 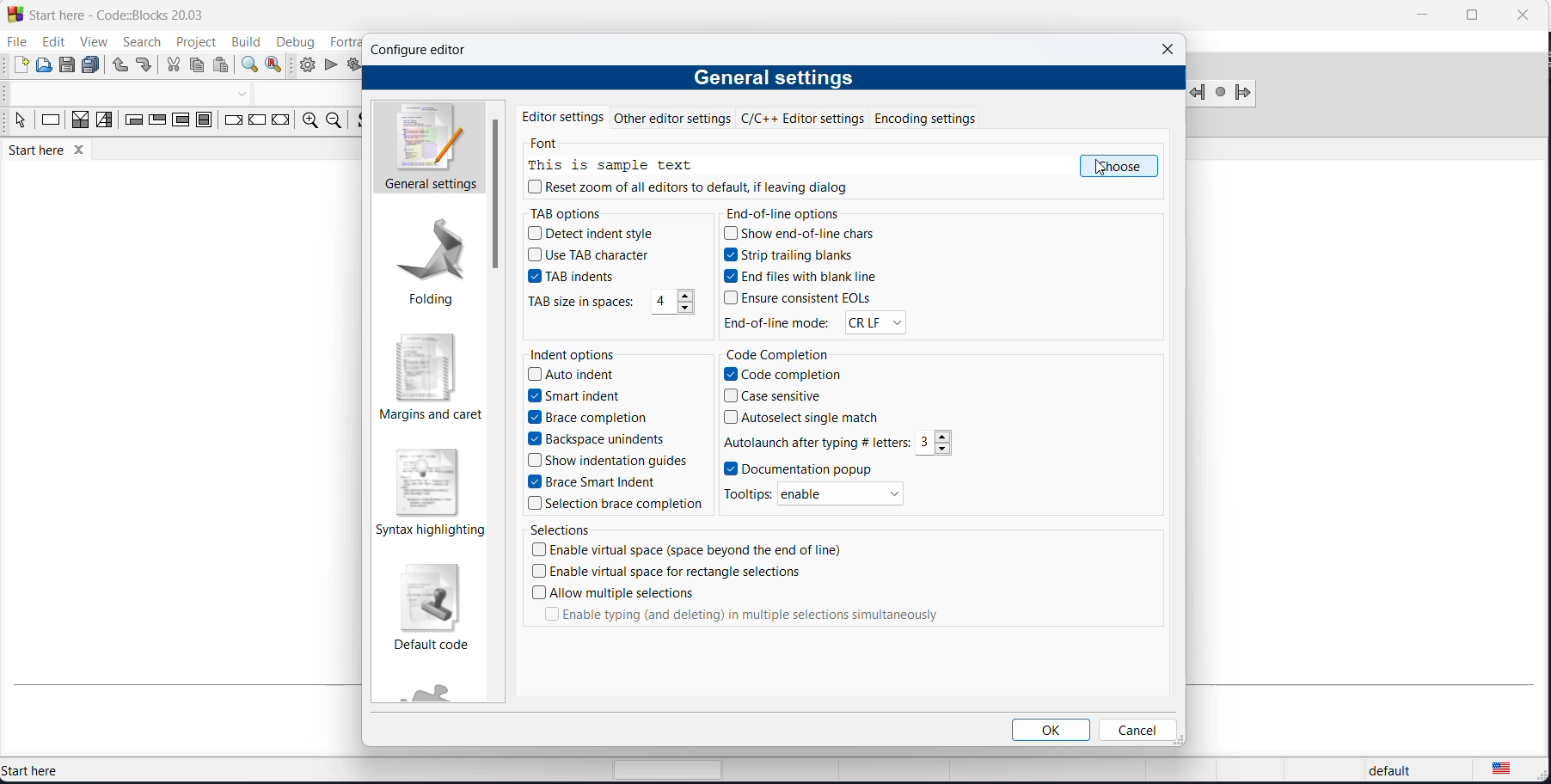 What do you see at coordinates (742, 616) in the screenshot?
I see `enable typing ` at bounding box center [742, 616].